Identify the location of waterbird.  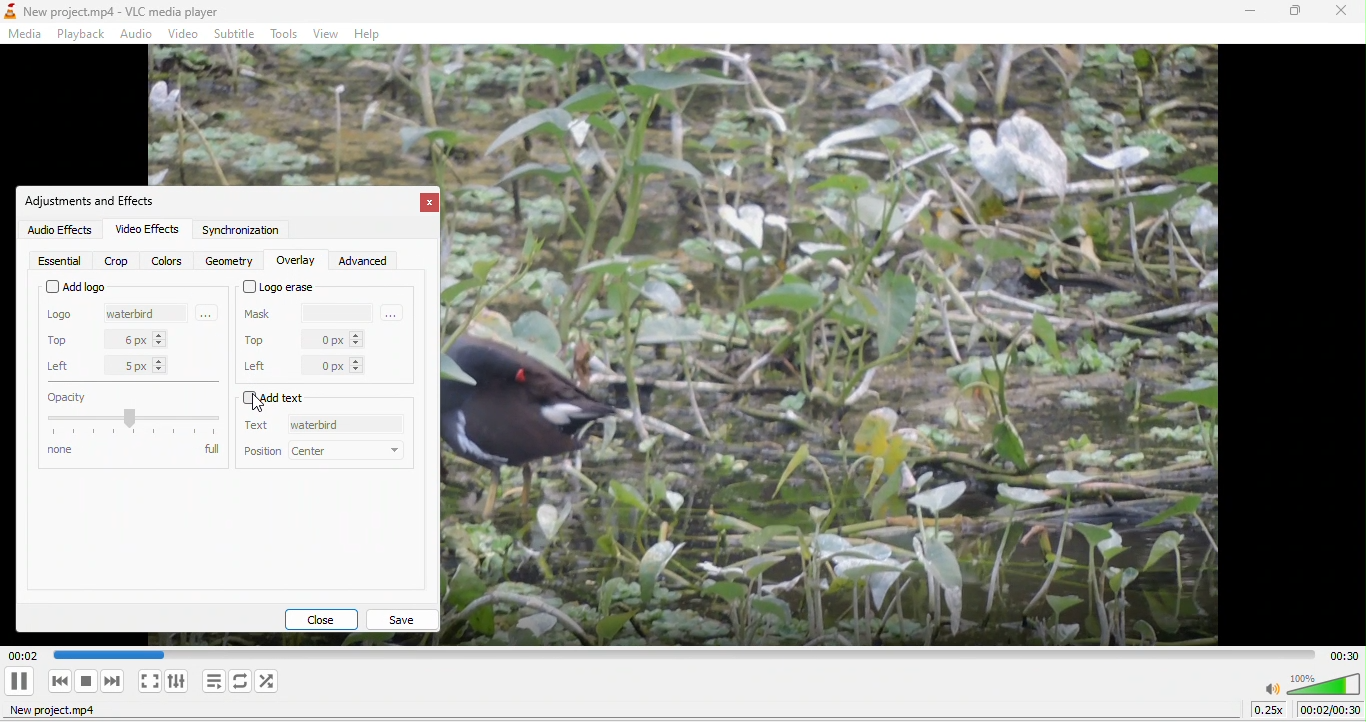
(344, 427).